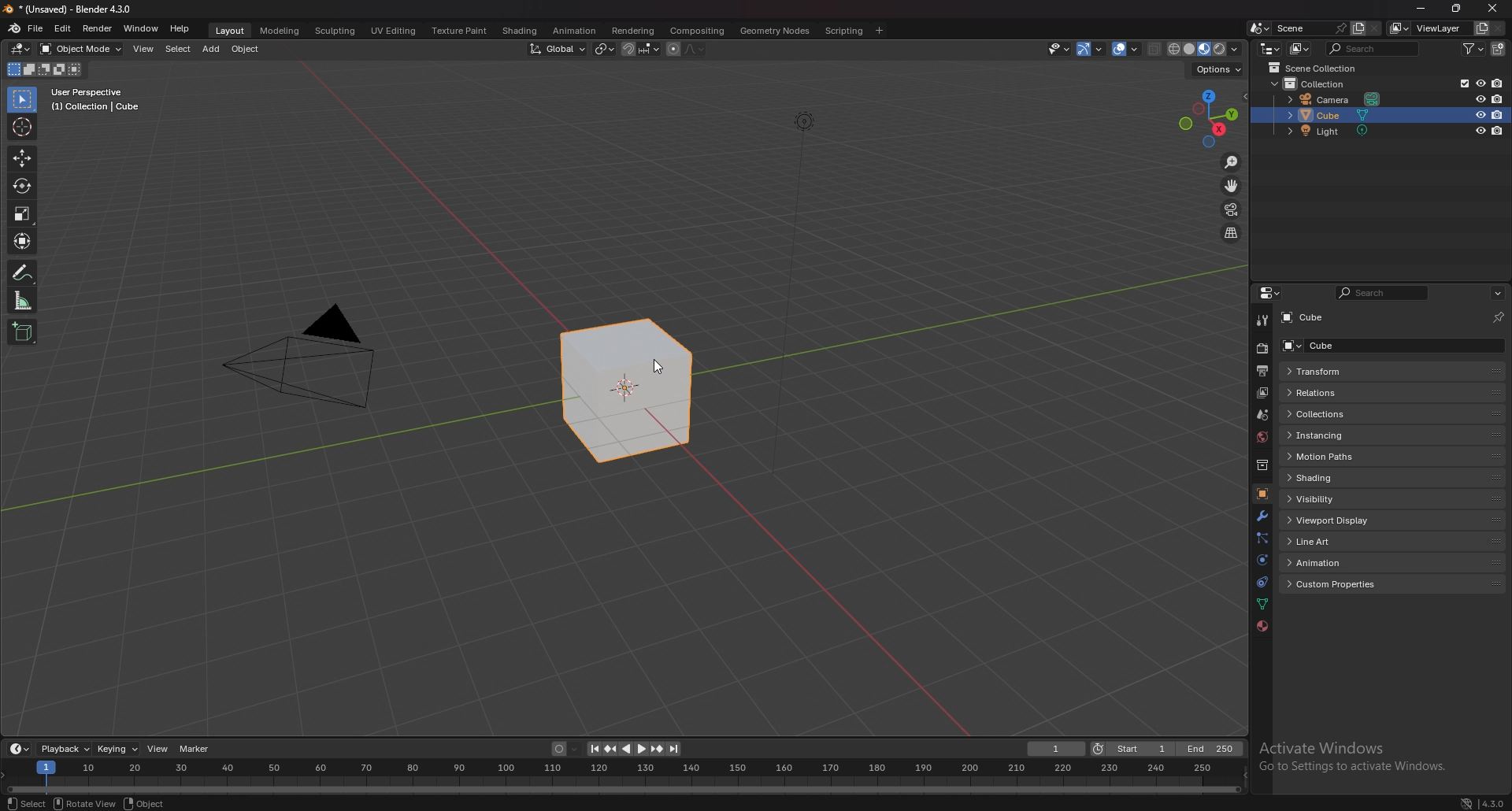  I want to click on move, so click(21, 158).